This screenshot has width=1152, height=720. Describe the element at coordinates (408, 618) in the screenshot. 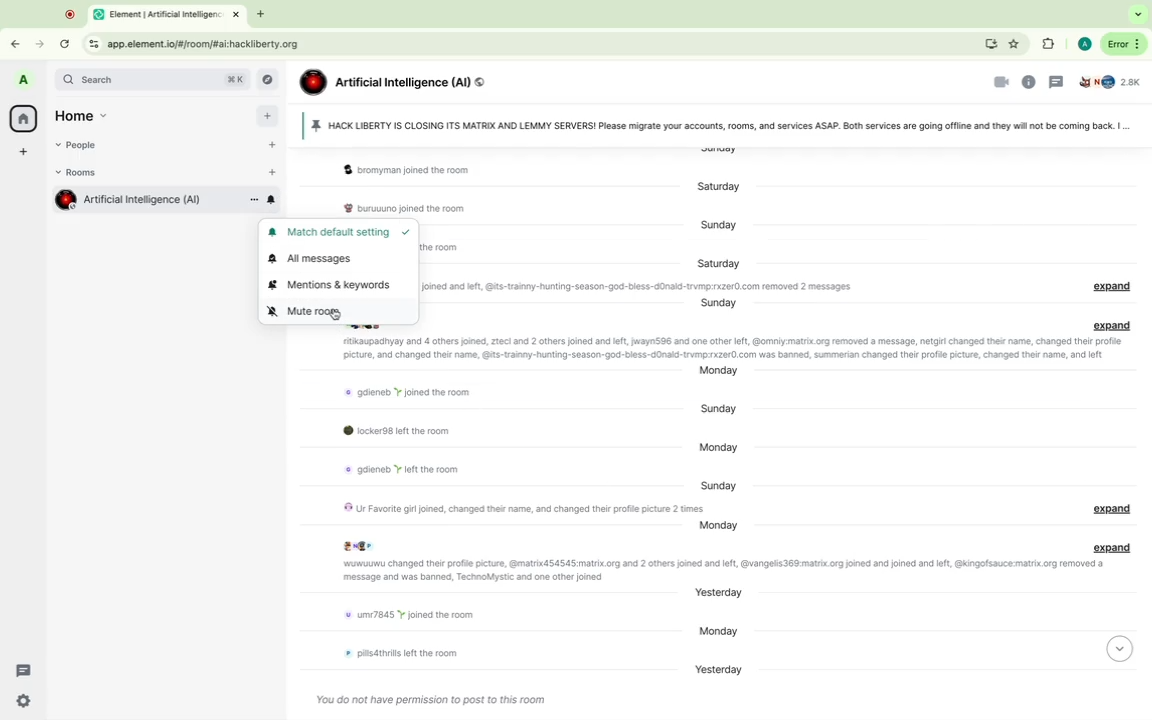

I see `Message` at that location.